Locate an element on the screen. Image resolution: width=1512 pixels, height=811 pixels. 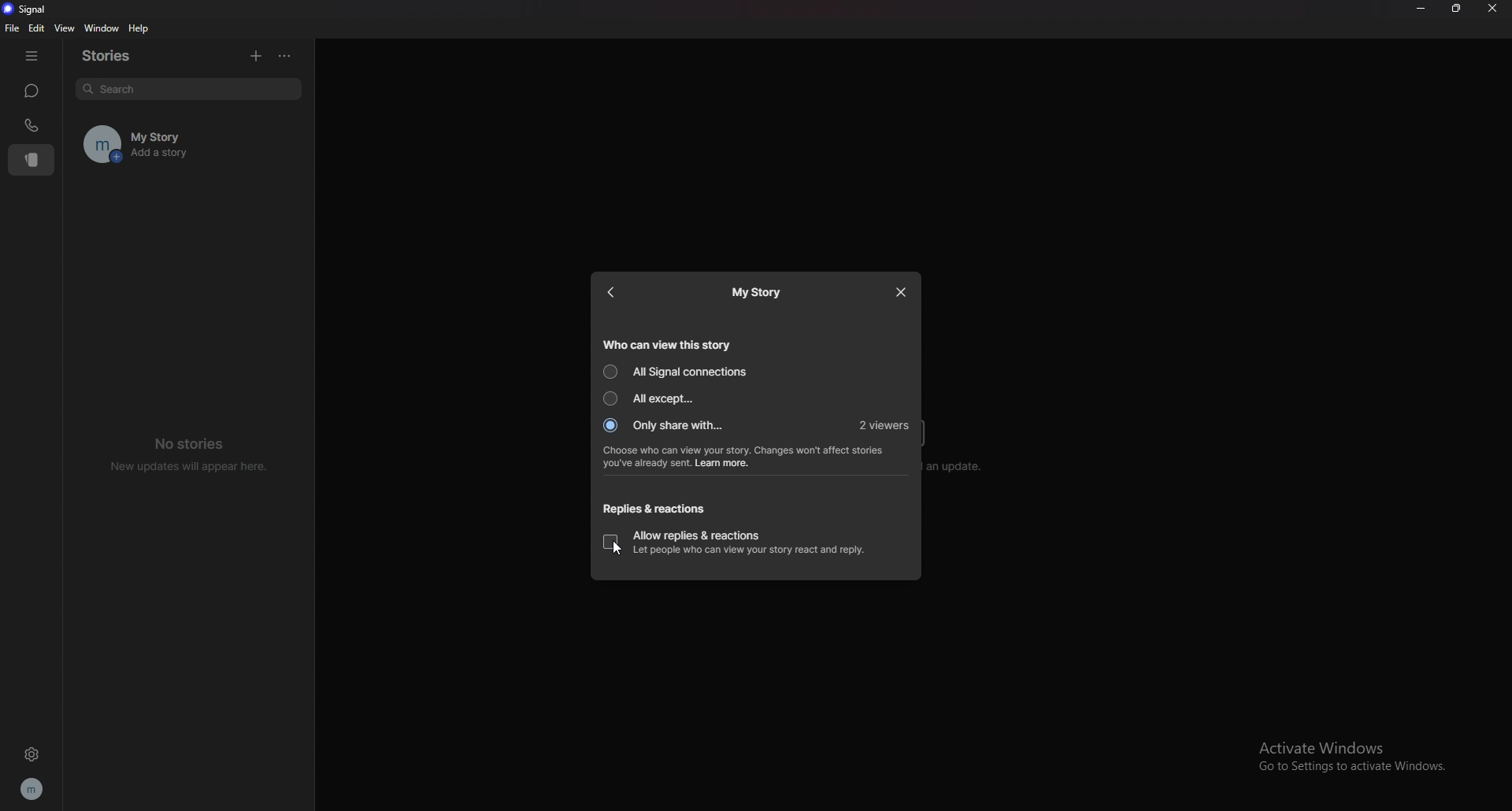
Activate Windows is located at coordinates (1340, 745).